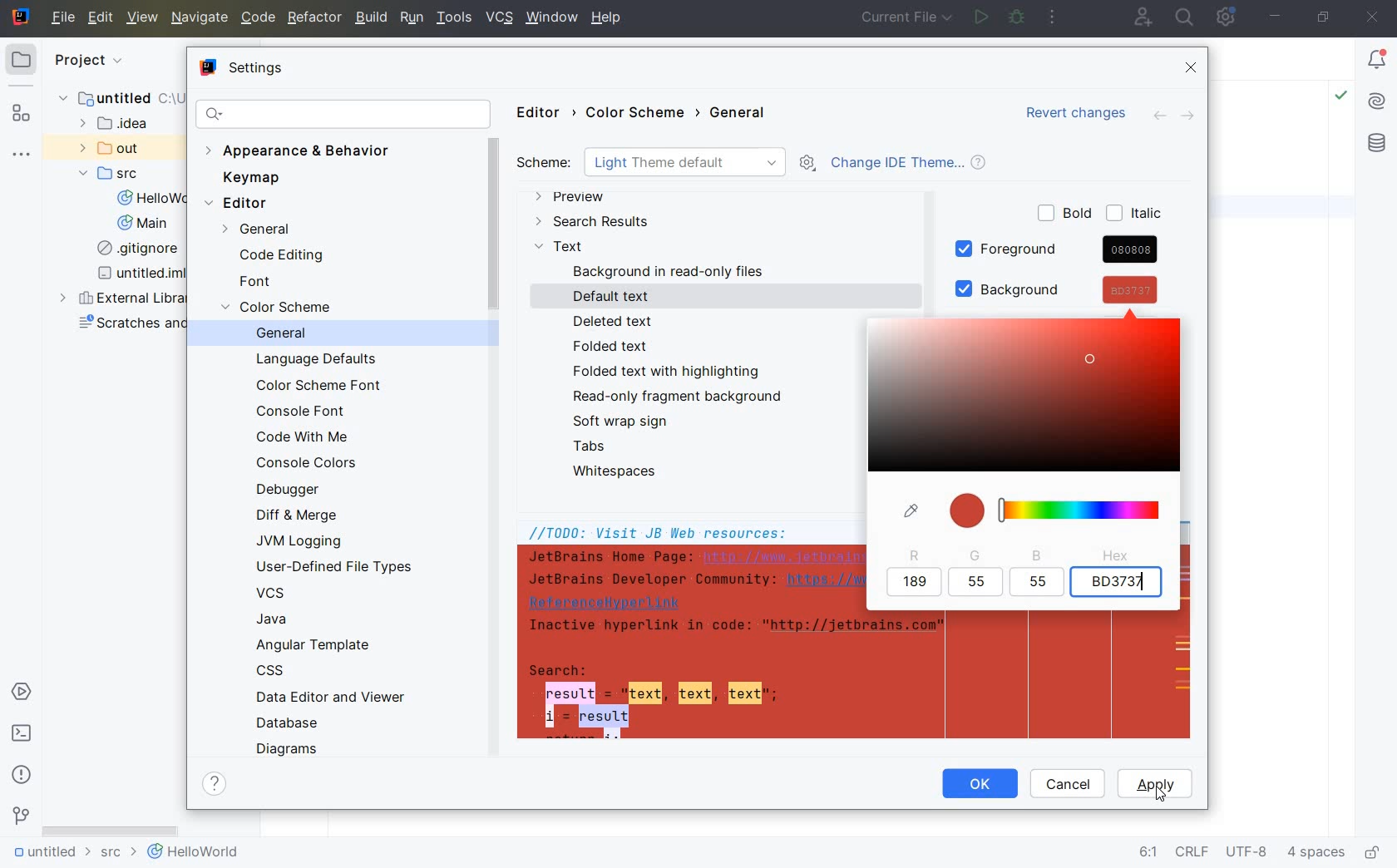 This screenshot has width=1397, height=868. Describe the element at coordinates (1277, 17) in the screenshot. I see `minimize` at that location.